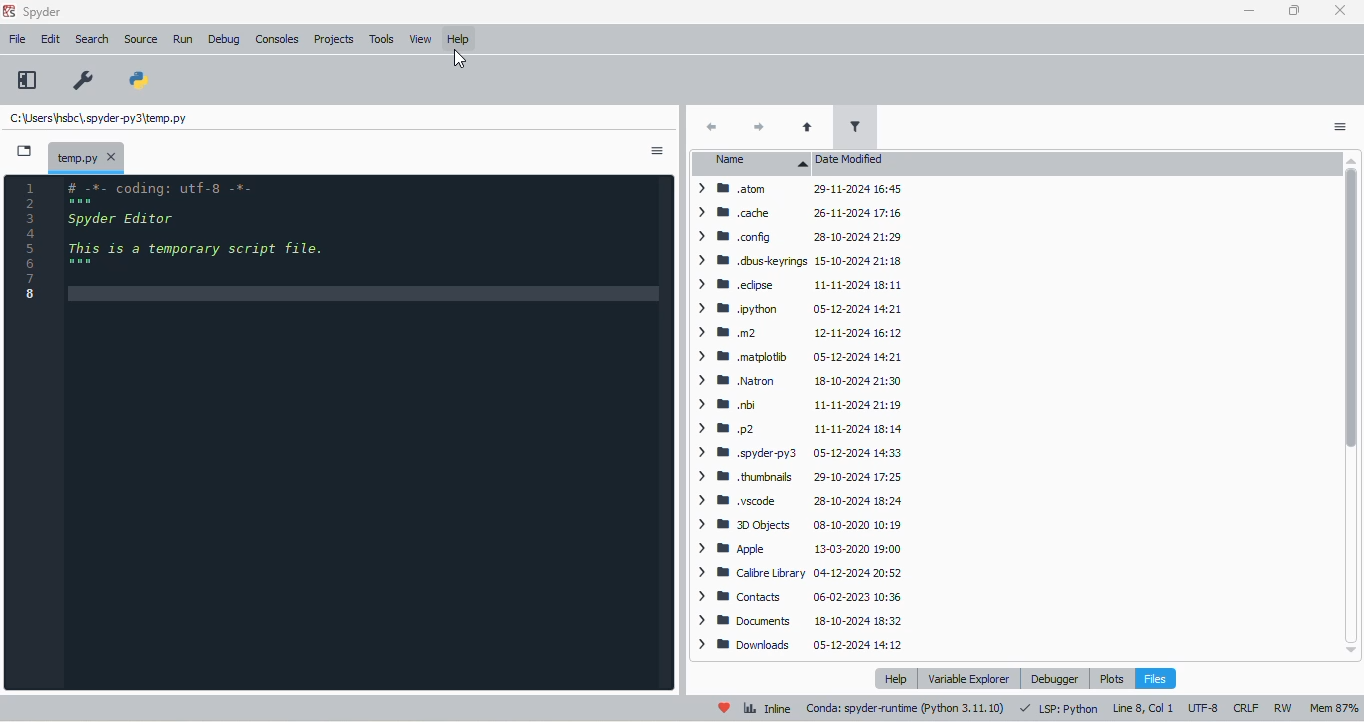  Describe the element at coordinates (459, 40) in the screenshot. I see `help` at that location.